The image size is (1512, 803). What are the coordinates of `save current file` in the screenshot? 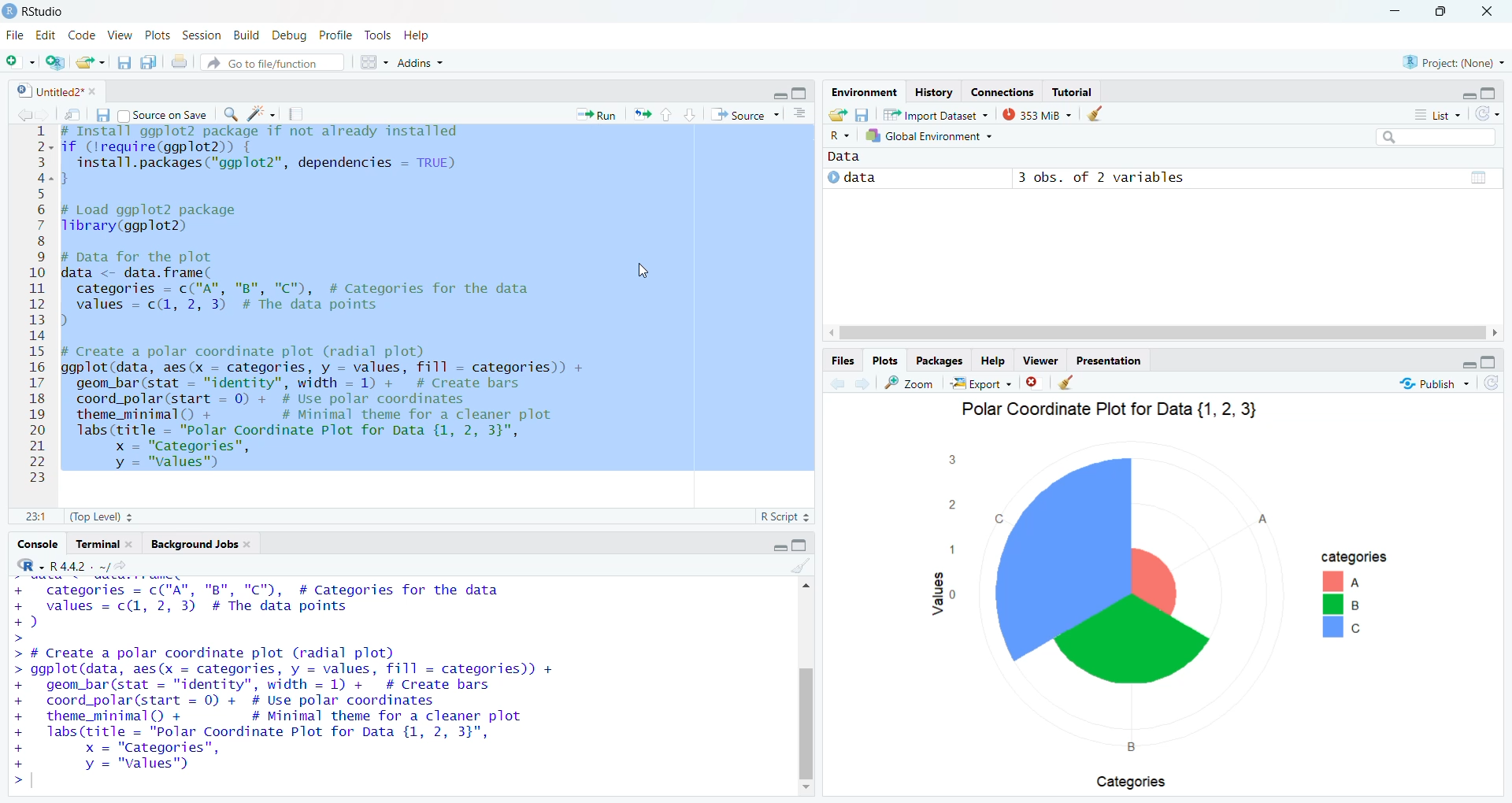 It's located at (125, 63).